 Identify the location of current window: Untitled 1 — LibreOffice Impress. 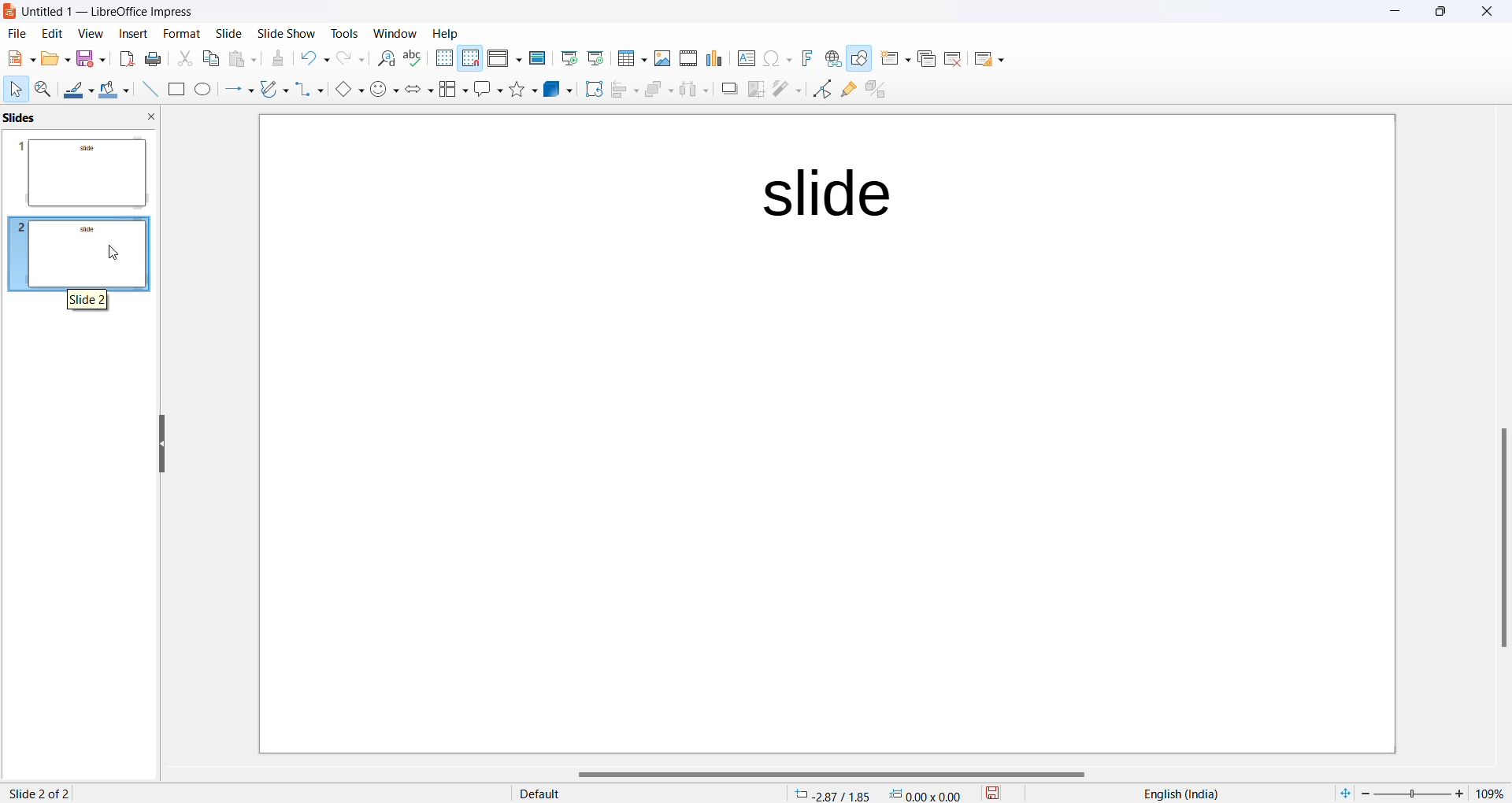
(105, 13).